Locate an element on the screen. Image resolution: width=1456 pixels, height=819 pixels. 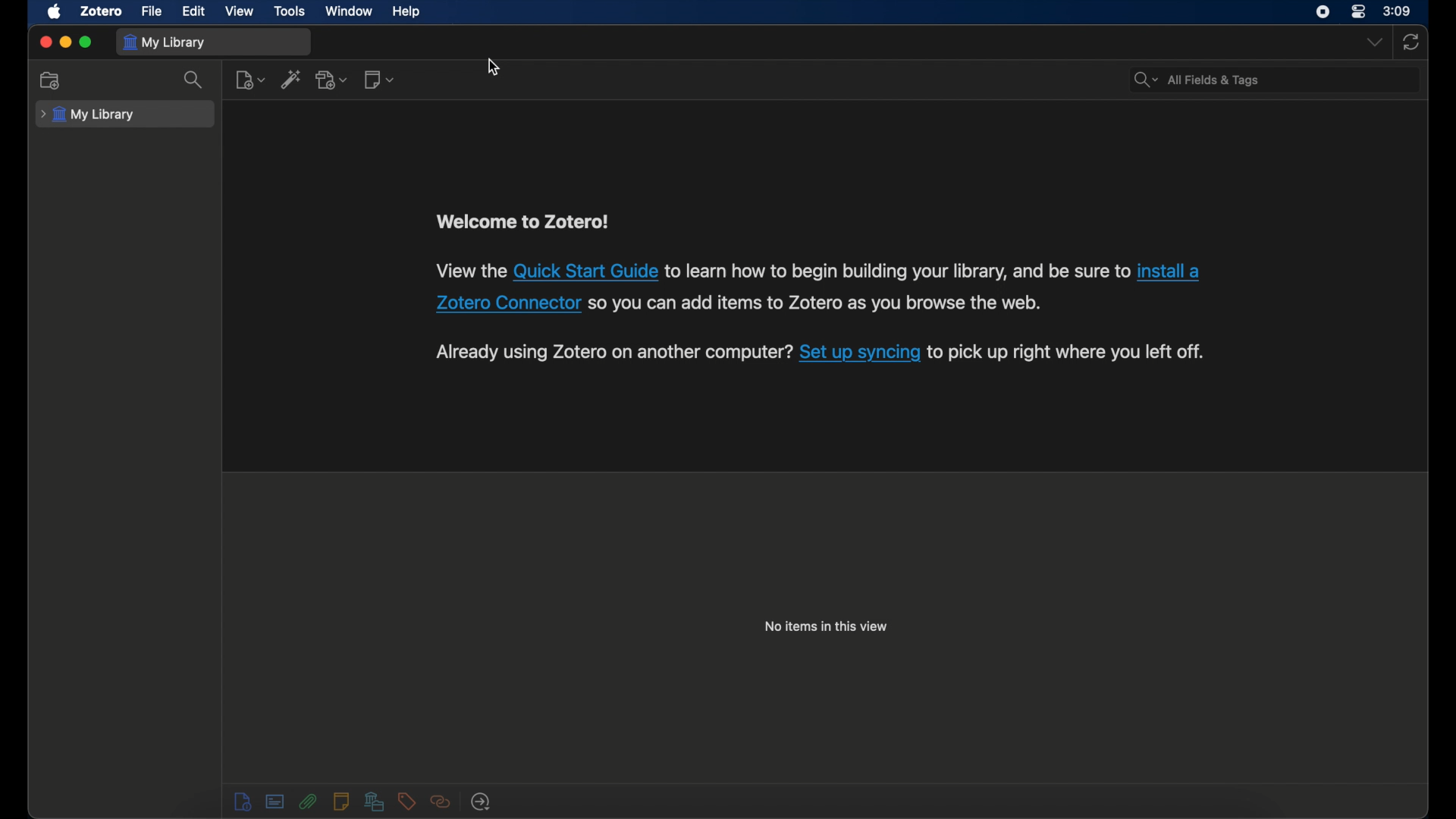
minimize is located at coordinates (67, 41).